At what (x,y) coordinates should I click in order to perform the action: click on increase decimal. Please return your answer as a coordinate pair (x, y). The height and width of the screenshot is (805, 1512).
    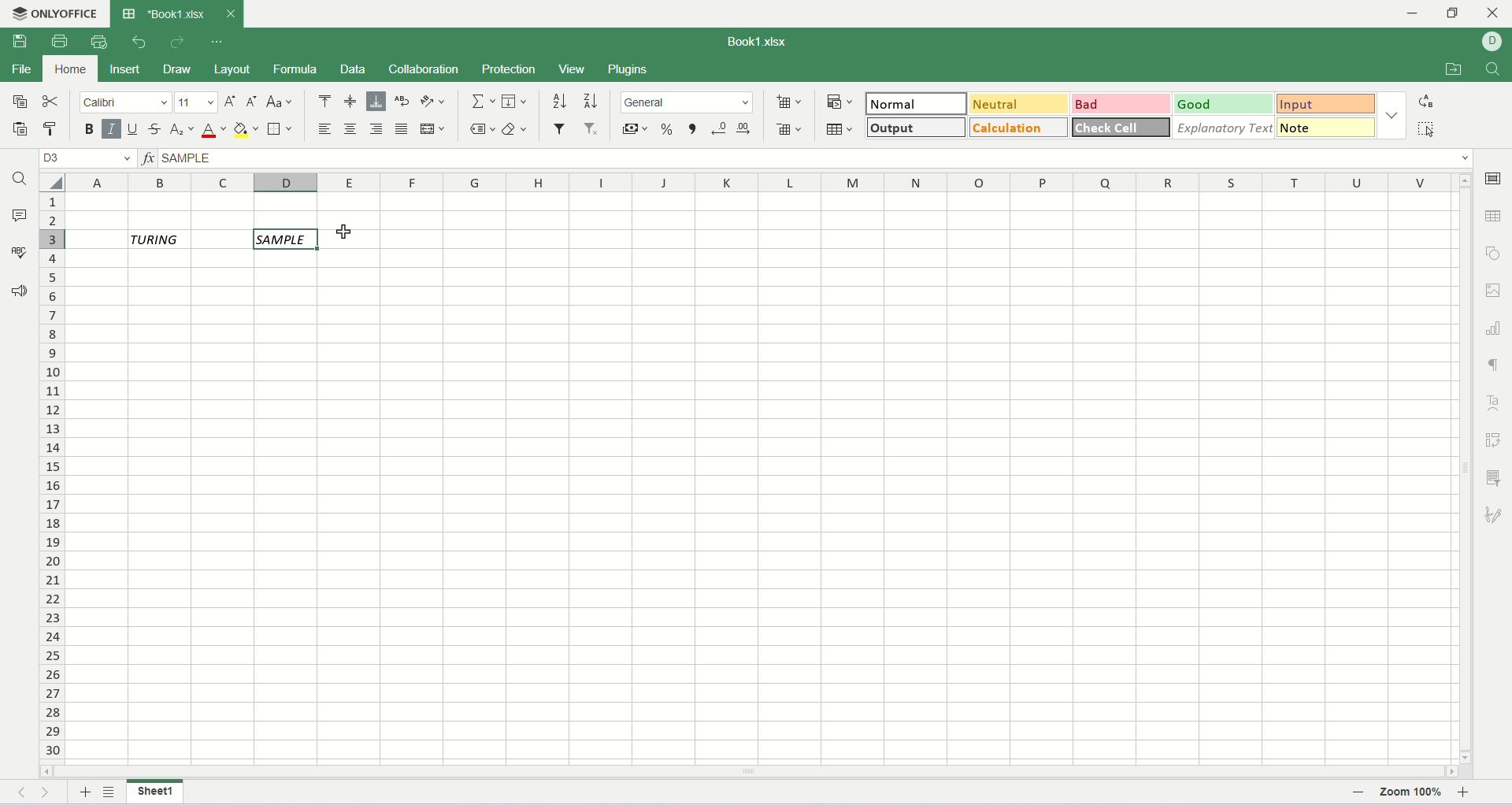
    Looking at the image, I should click on (745, 128).